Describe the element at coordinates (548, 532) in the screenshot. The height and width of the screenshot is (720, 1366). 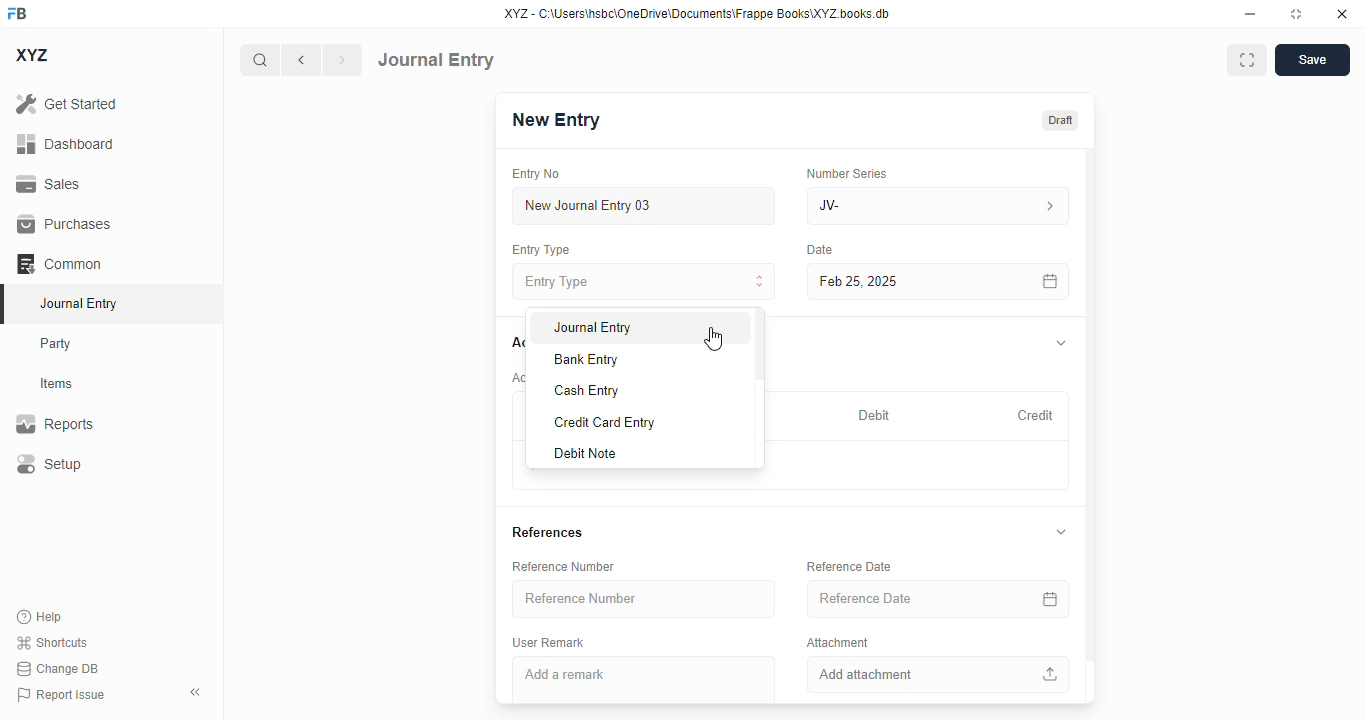
I see `references` at that location.